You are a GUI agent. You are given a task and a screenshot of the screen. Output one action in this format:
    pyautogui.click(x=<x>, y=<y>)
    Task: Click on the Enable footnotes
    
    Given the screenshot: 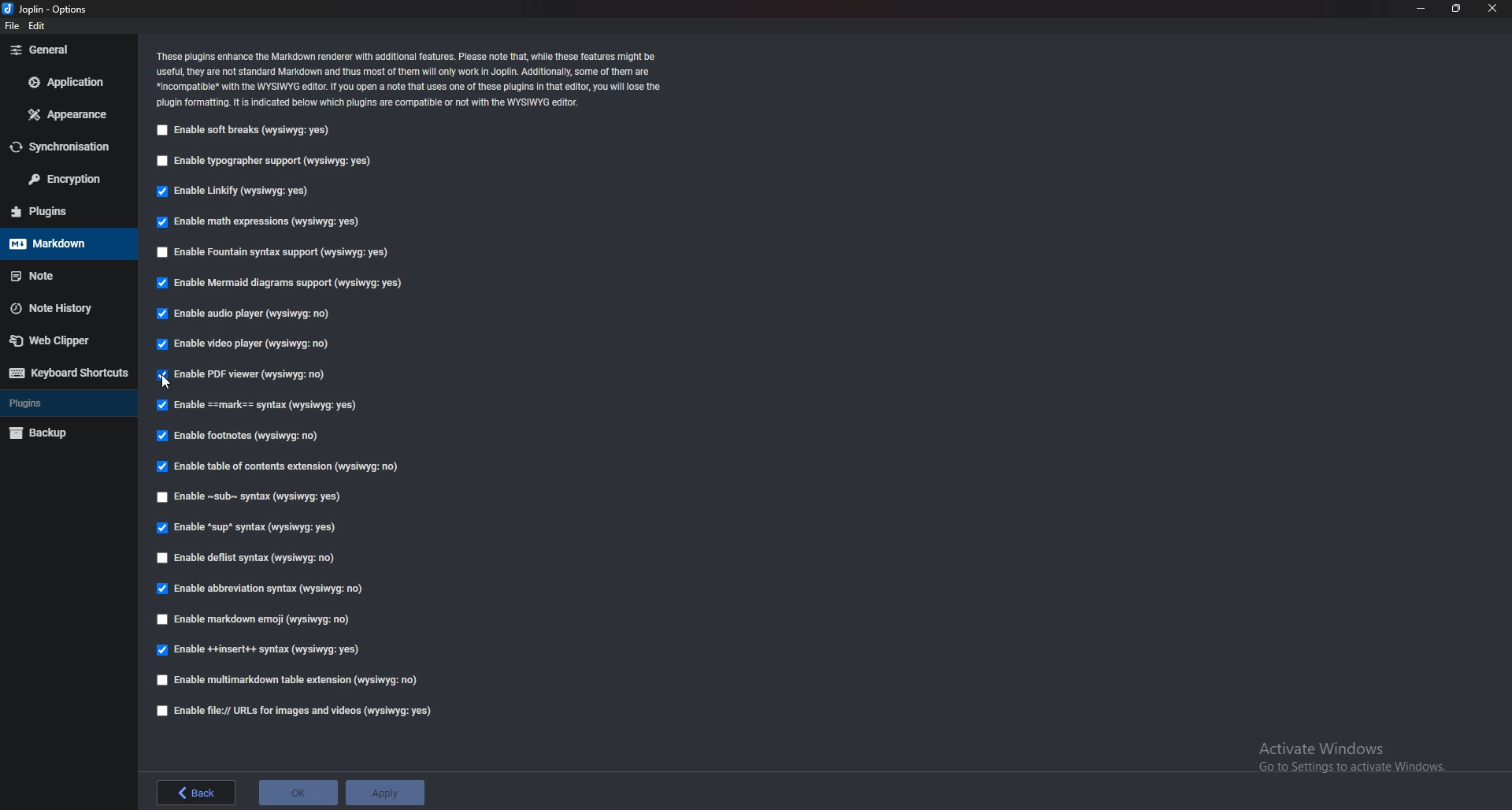 What is the action you would take?
    pyautogui.click(x=241, y=437)
    